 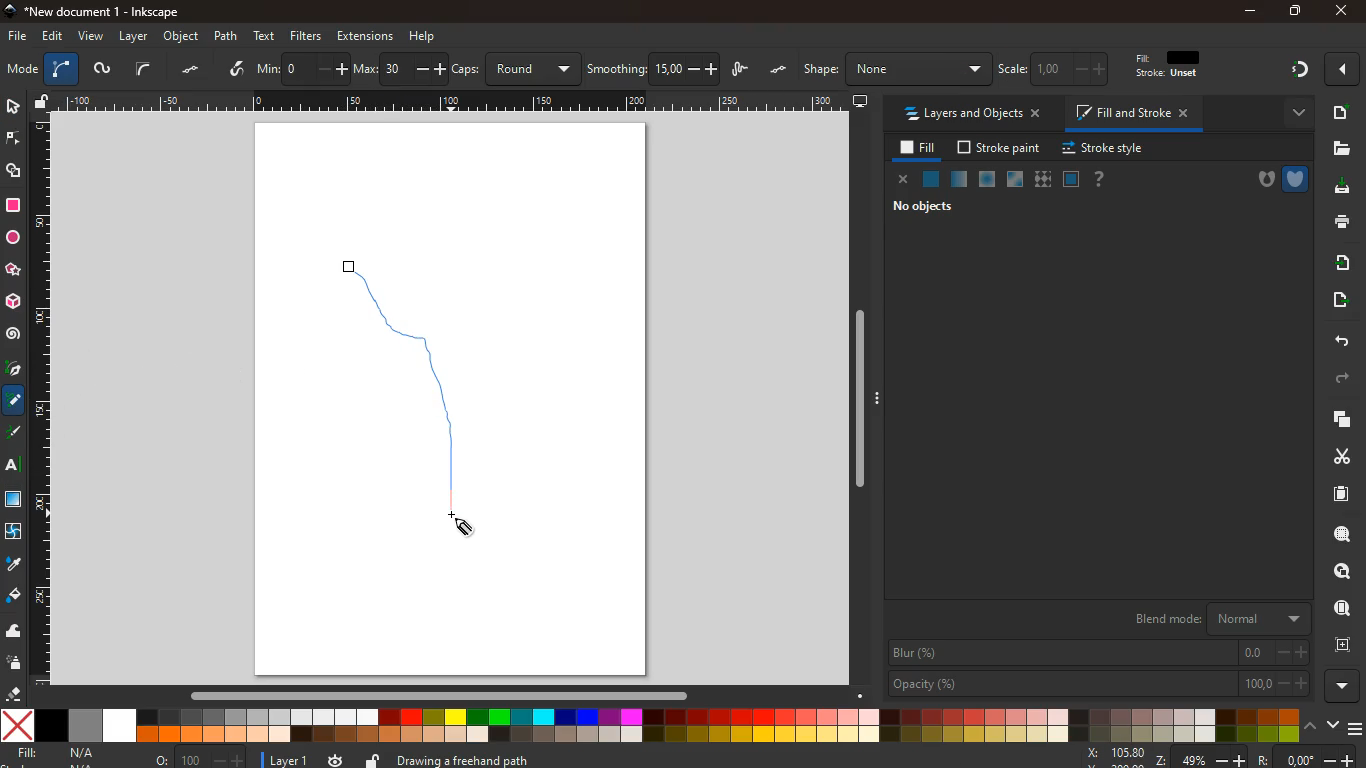 I want to click on stroke paint, so click(x=1001, y=147).